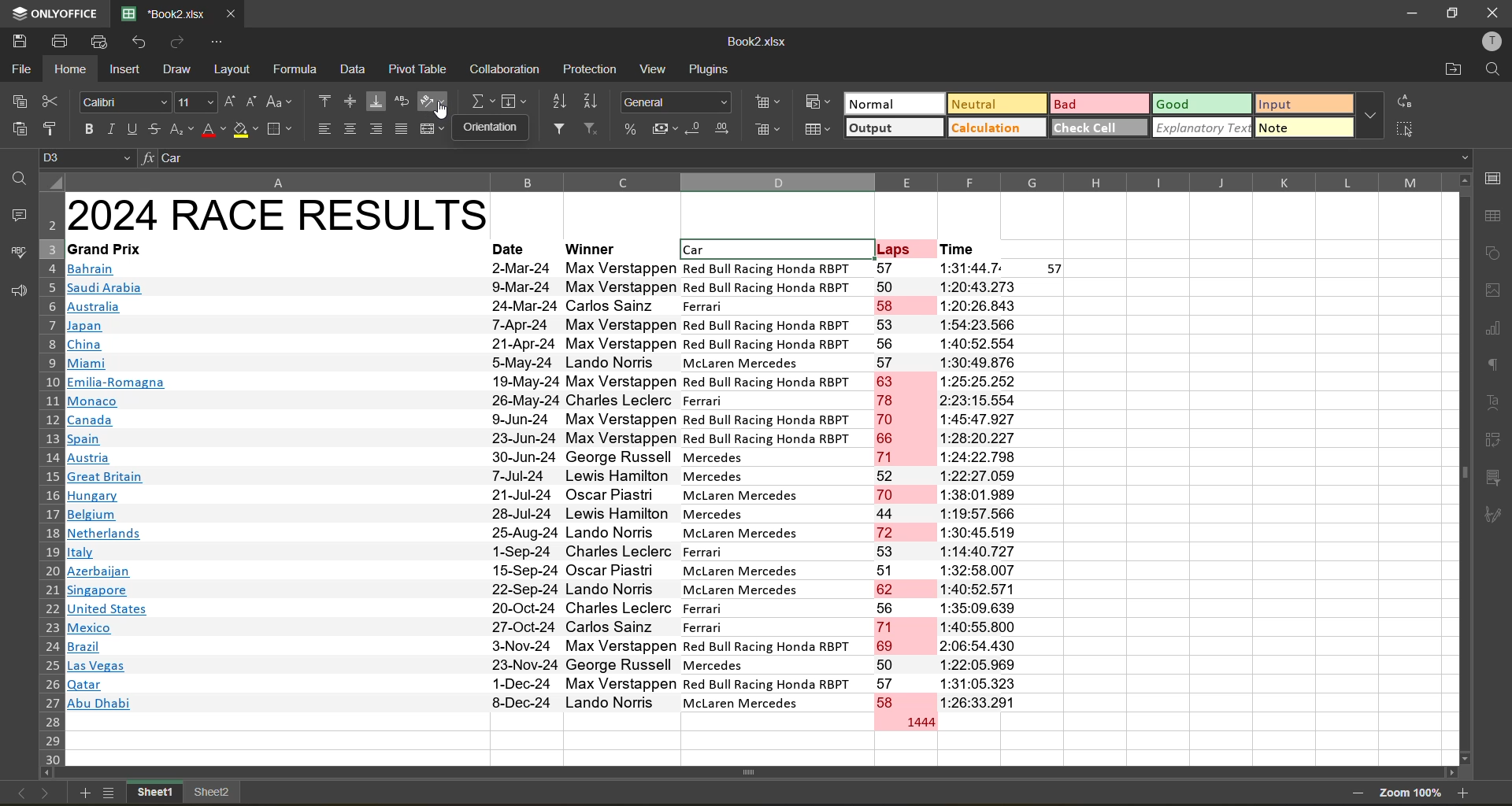 This screenshot has height=806, width=1512. What do you see at coordinates (1465, 792) in the screenshot?
I see `zoom in` at bounding box center [1465, 792].